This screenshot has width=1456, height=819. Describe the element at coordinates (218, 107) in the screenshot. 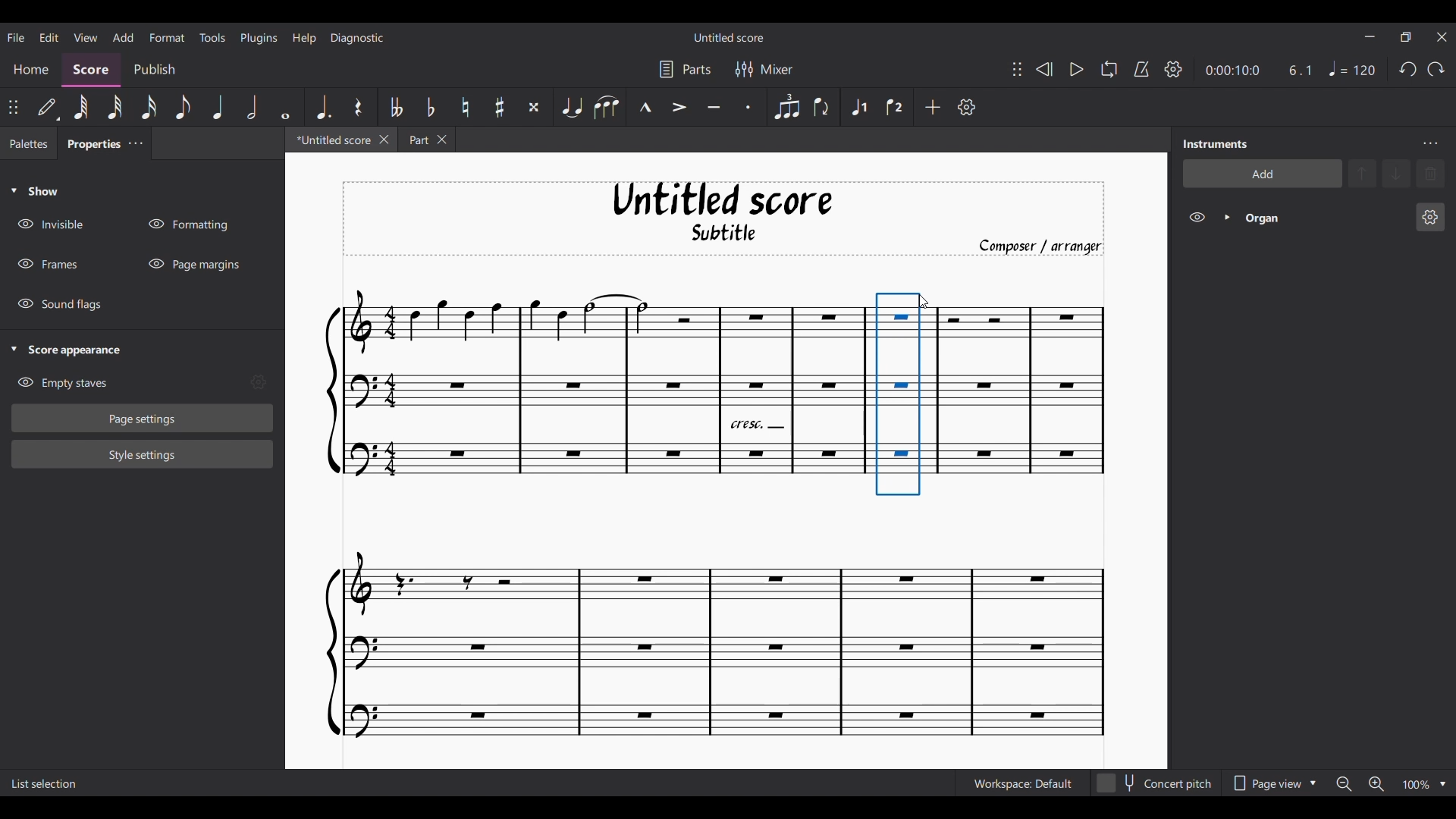

I see `Quarter note` at that location.